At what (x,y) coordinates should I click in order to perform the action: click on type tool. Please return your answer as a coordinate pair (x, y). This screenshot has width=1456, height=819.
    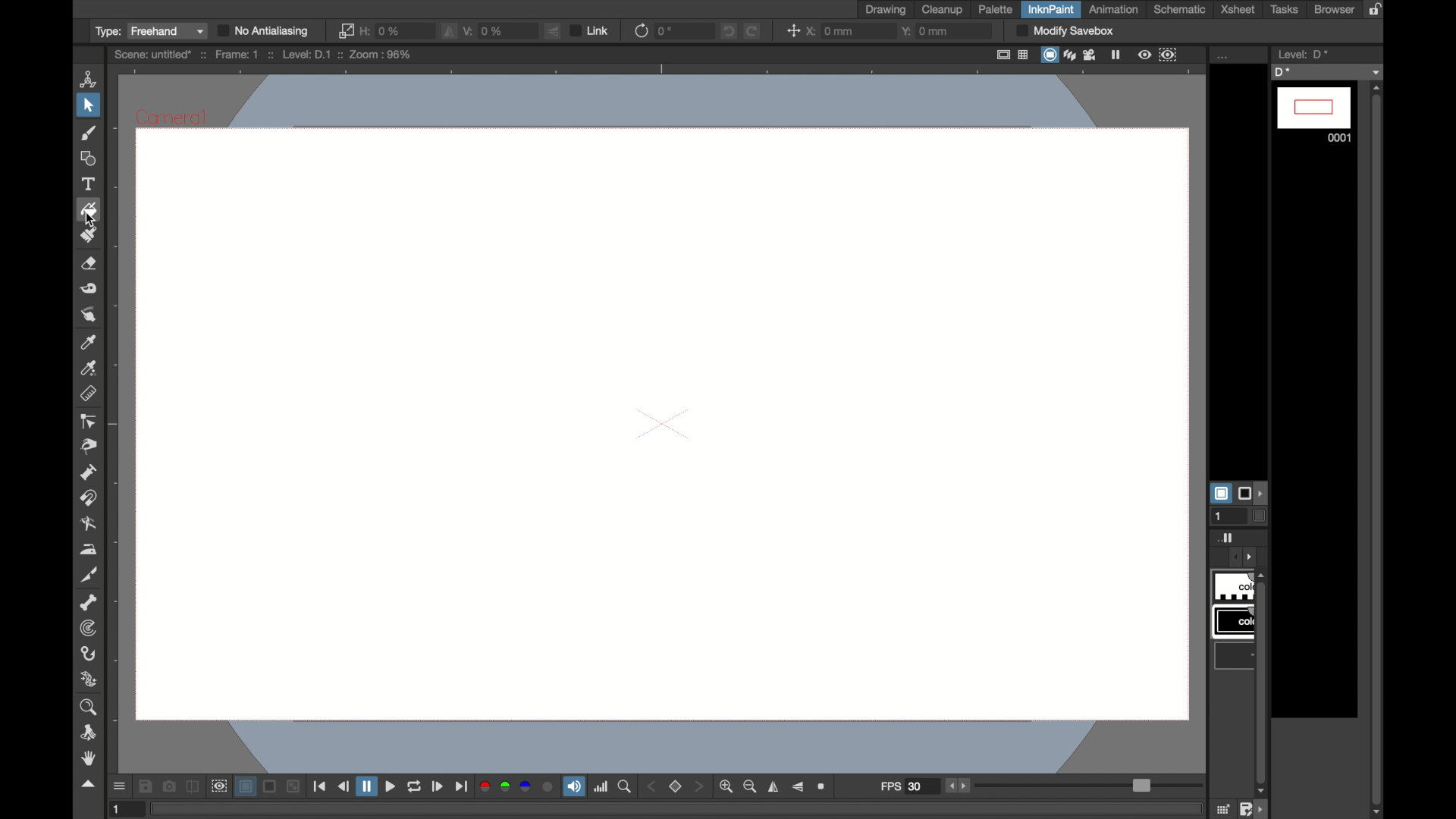
    Looking at the image, I should click on (89, 184).